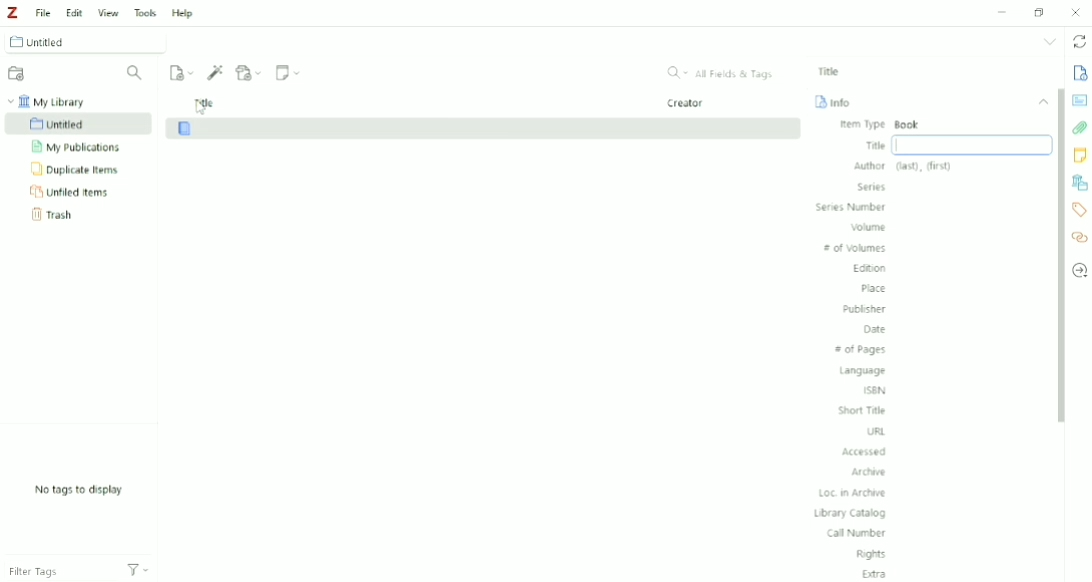 Image resolution: width=1092 pixels, height=582 pixels. What do you see at coordinates (145, 569) in the screenshot?
I see `Actions` at bounding box center [145, 569].